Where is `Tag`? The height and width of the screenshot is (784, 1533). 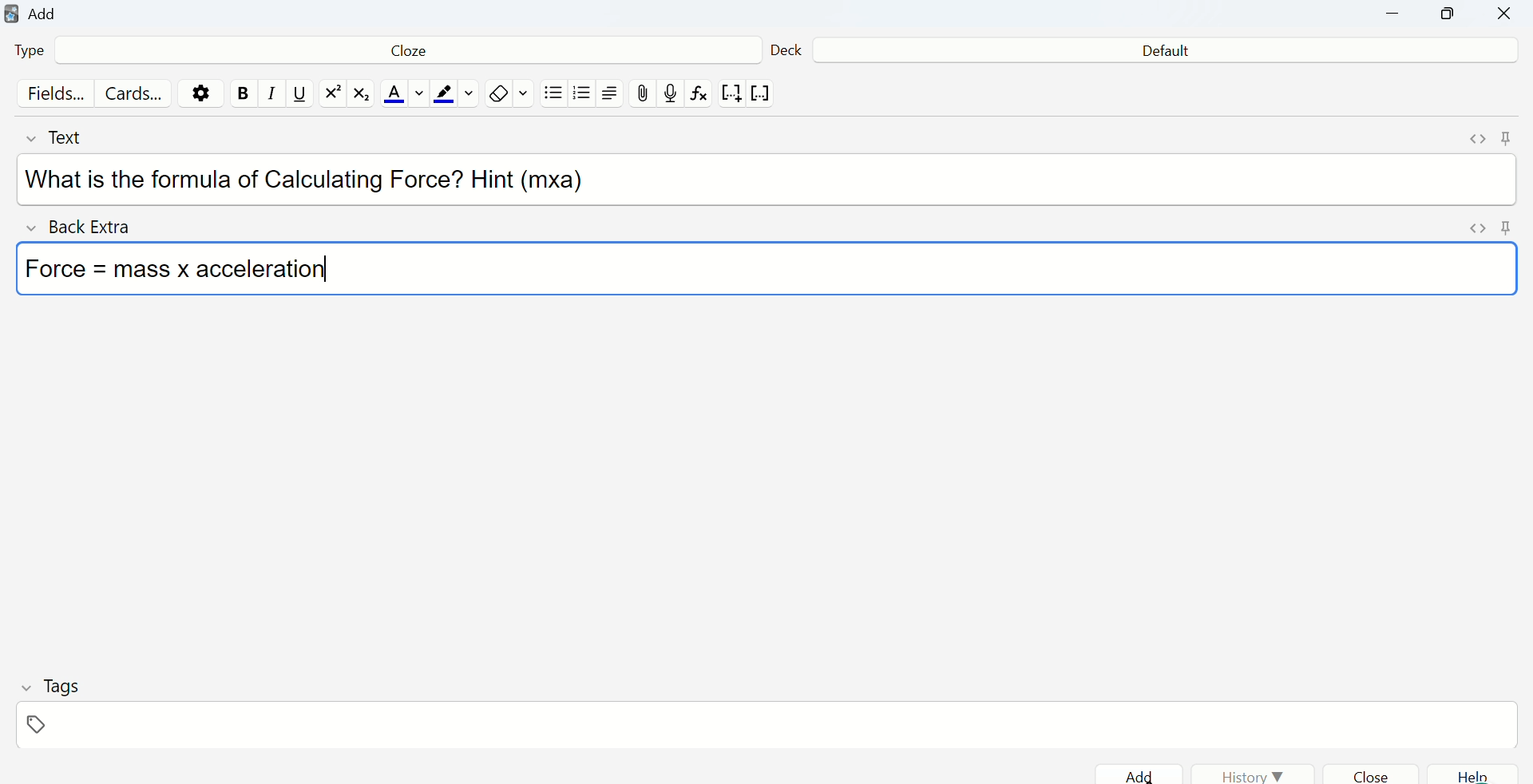 Tag is located at coordinates (37, 727).